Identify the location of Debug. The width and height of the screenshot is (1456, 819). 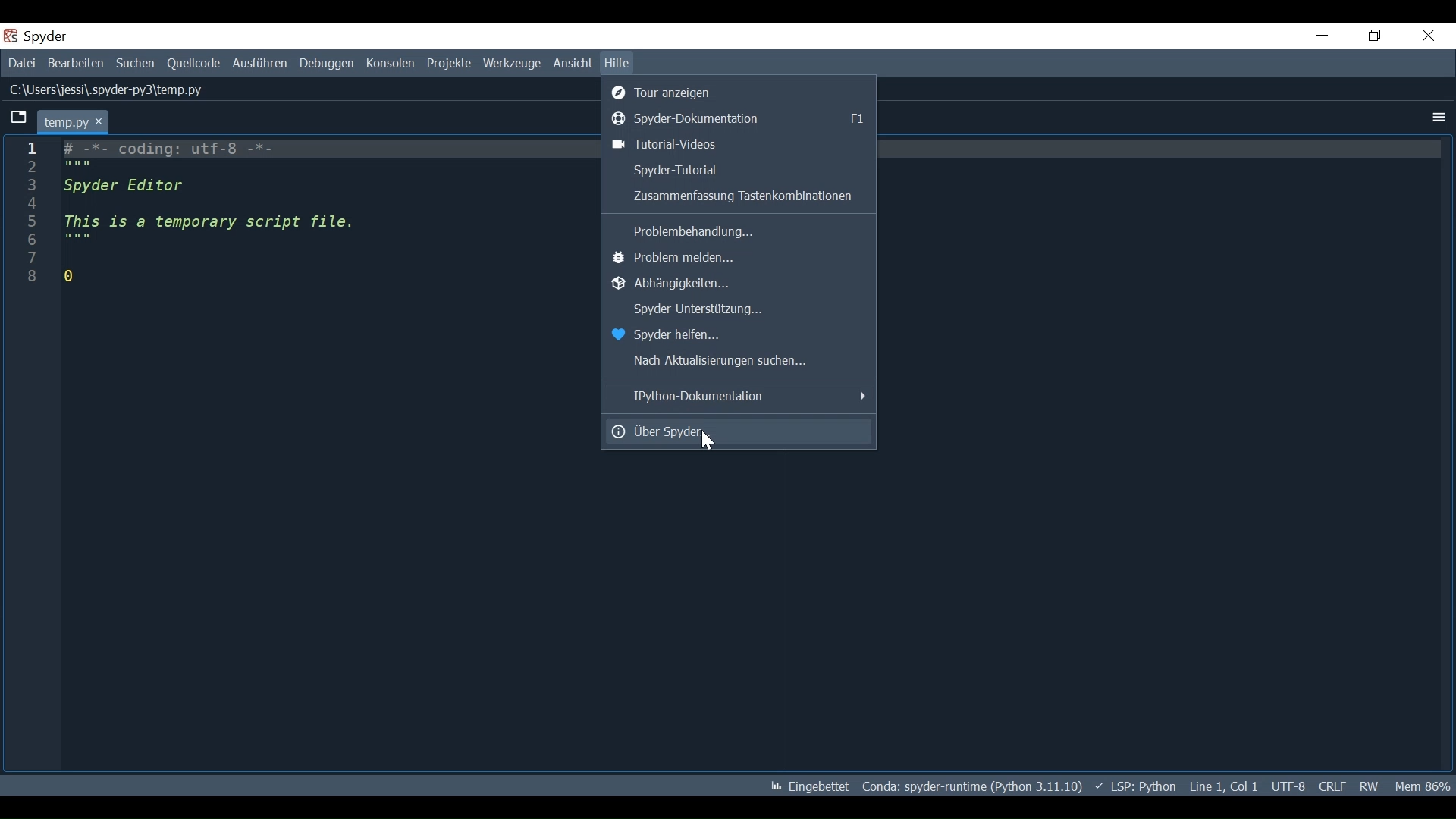
(326, 64).